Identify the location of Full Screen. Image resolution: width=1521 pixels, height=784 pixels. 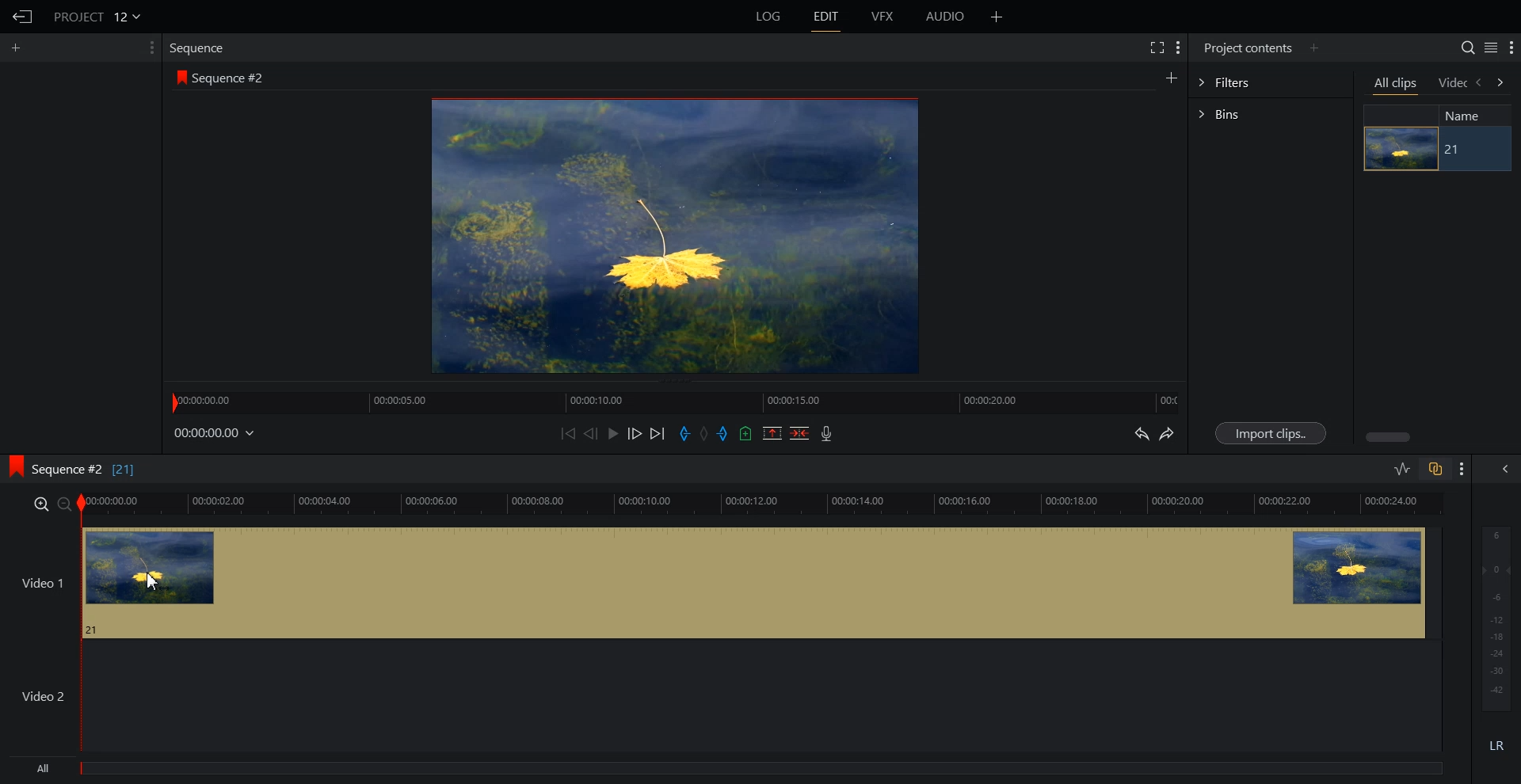
(1158, 48).